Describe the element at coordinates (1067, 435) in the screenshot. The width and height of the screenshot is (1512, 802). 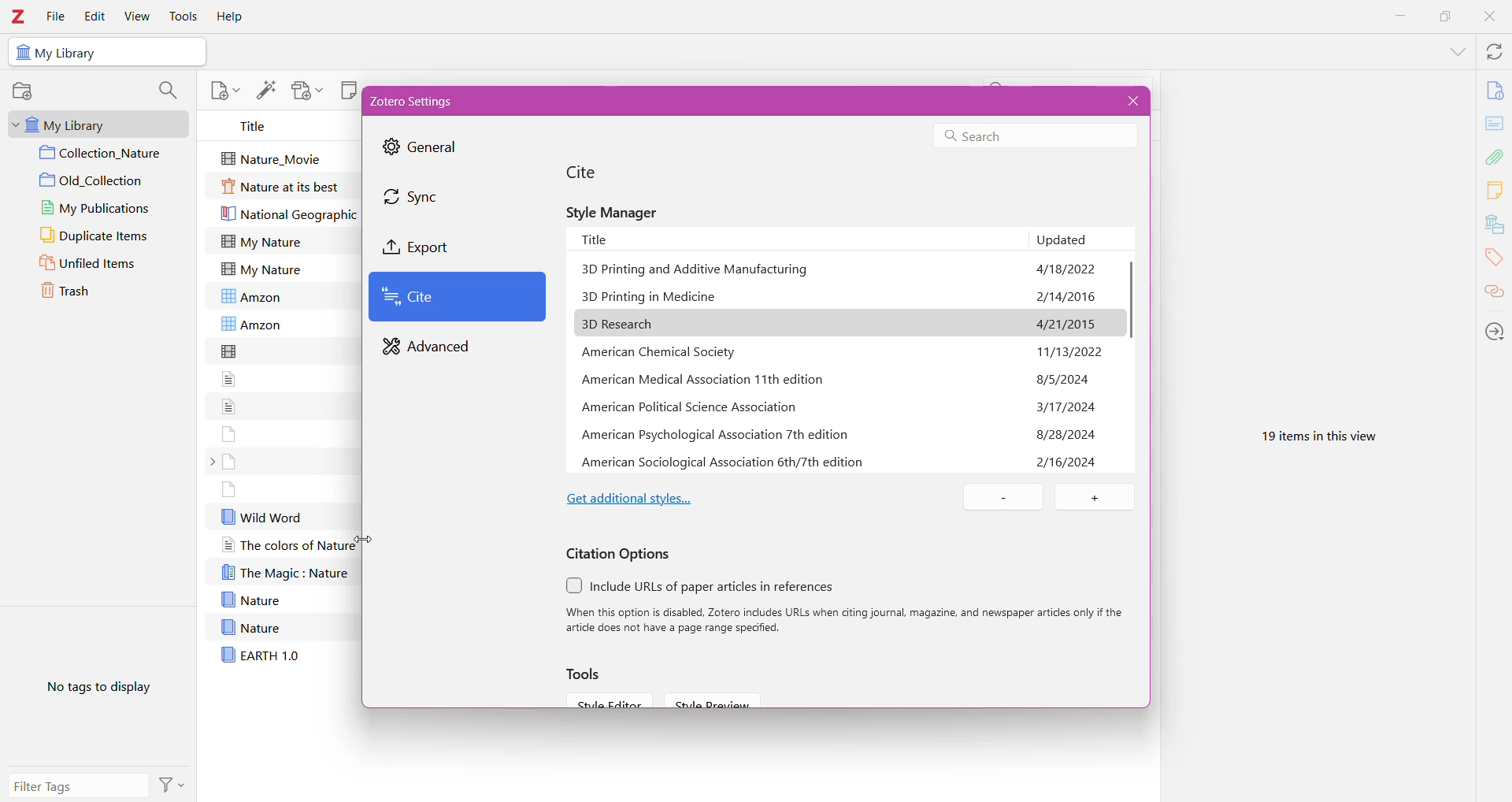
I see `2/16/2024` at that location.